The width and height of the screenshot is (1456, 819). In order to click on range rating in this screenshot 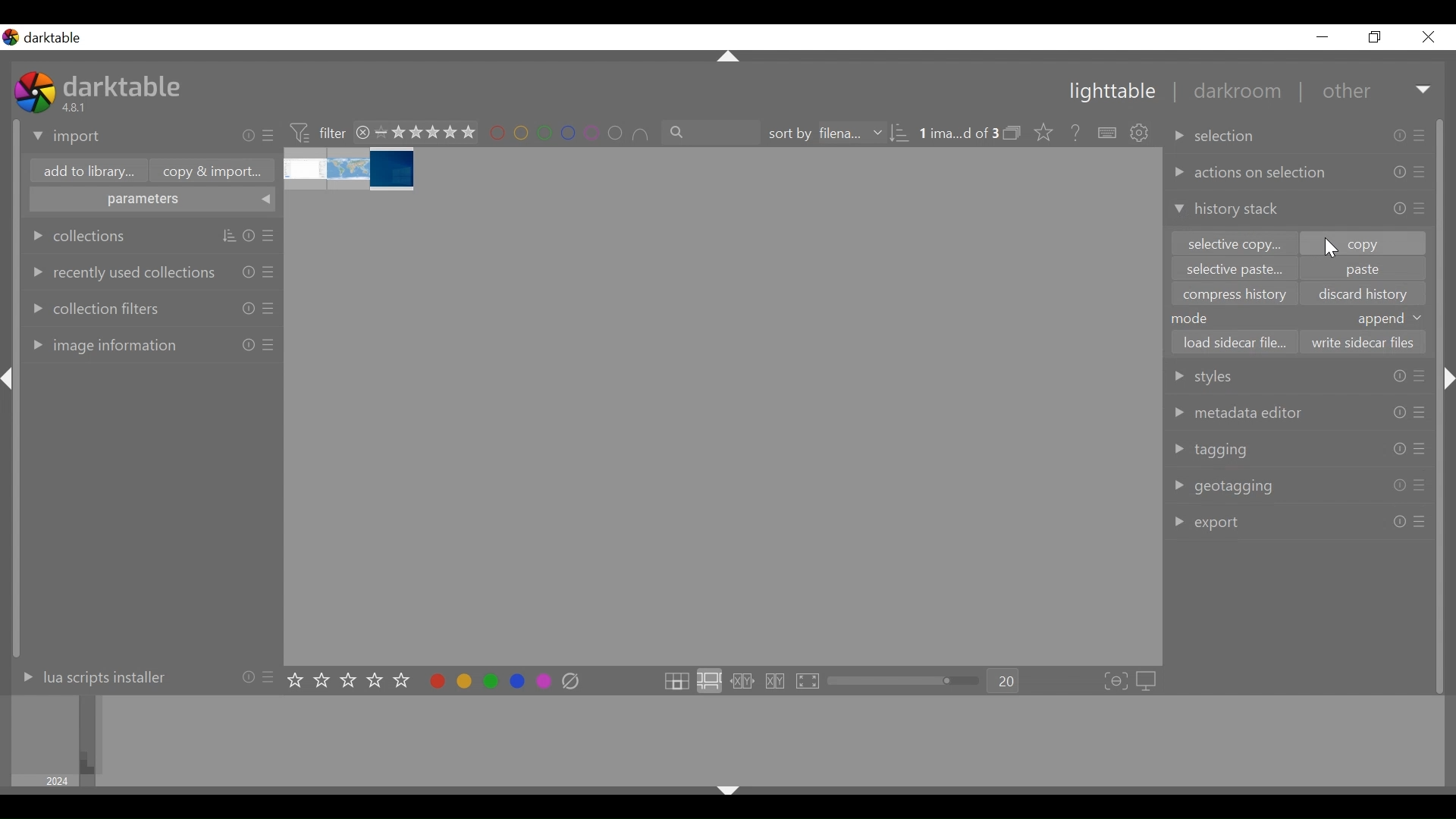, I will do `click(425, 133)`.